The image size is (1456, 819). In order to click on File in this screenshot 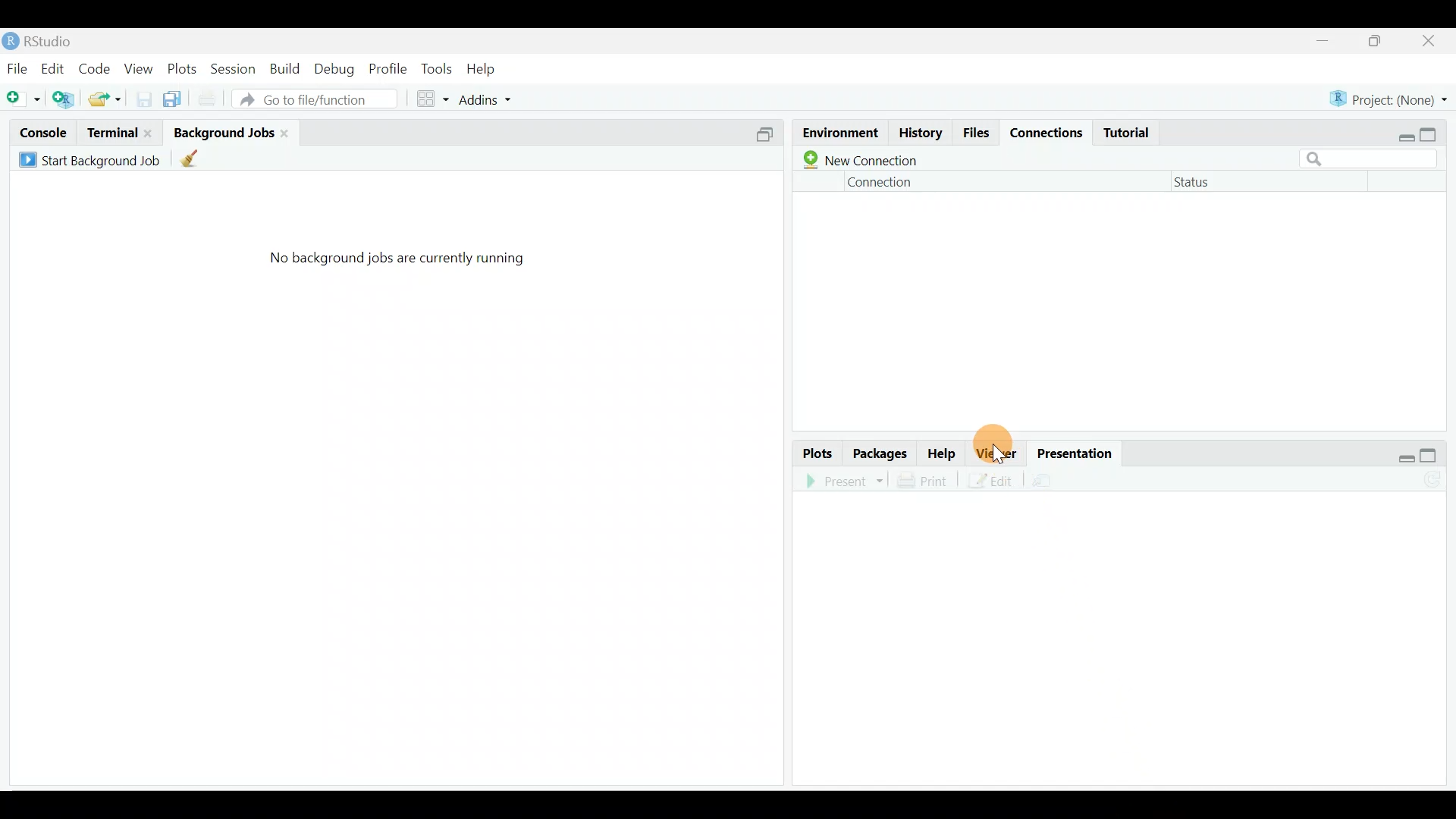, I will do `click(17, 67)`.